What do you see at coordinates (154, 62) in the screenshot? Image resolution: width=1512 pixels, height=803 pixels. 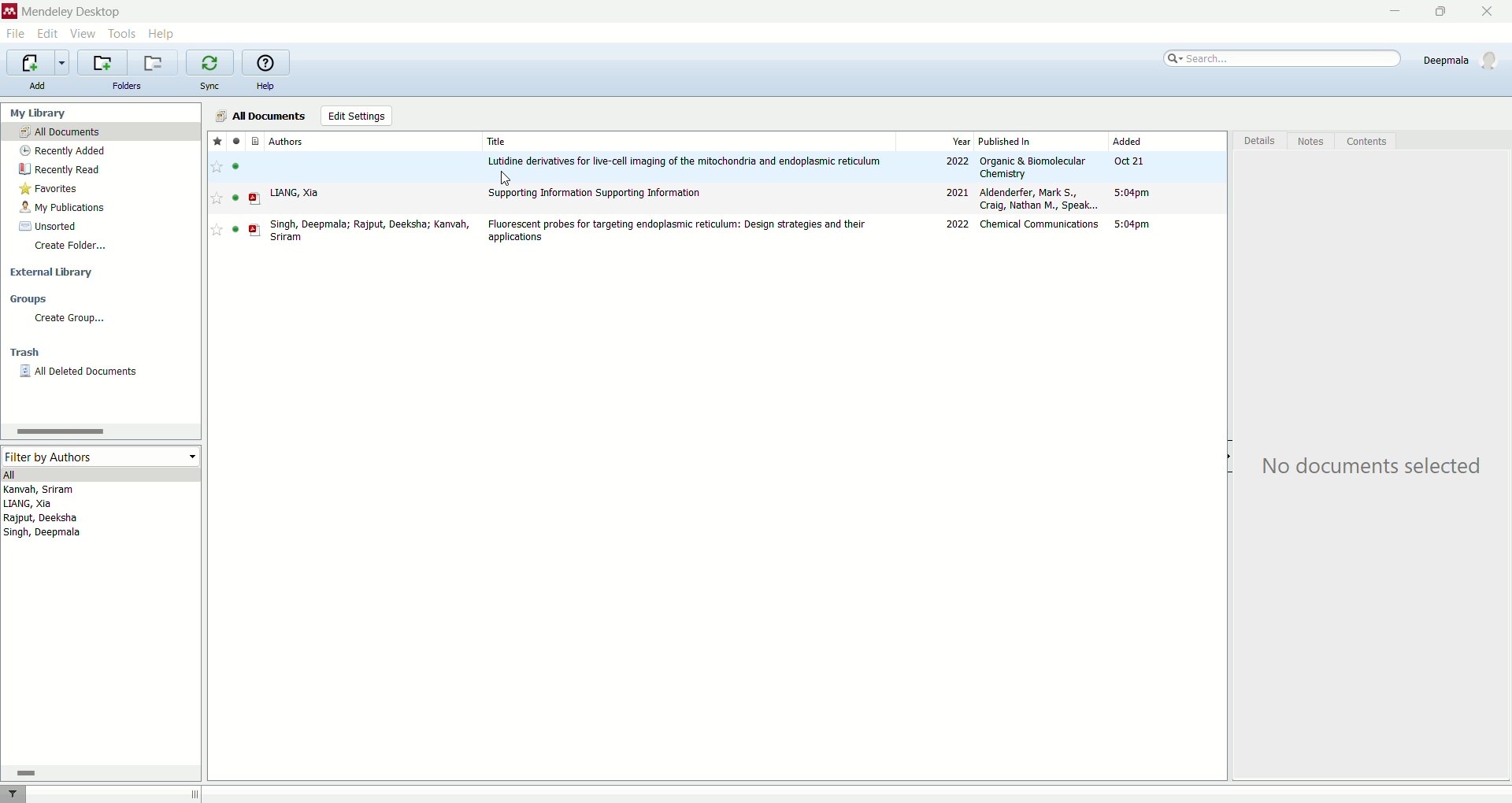 I see `remove current folder` at bounding box center [154, 62].